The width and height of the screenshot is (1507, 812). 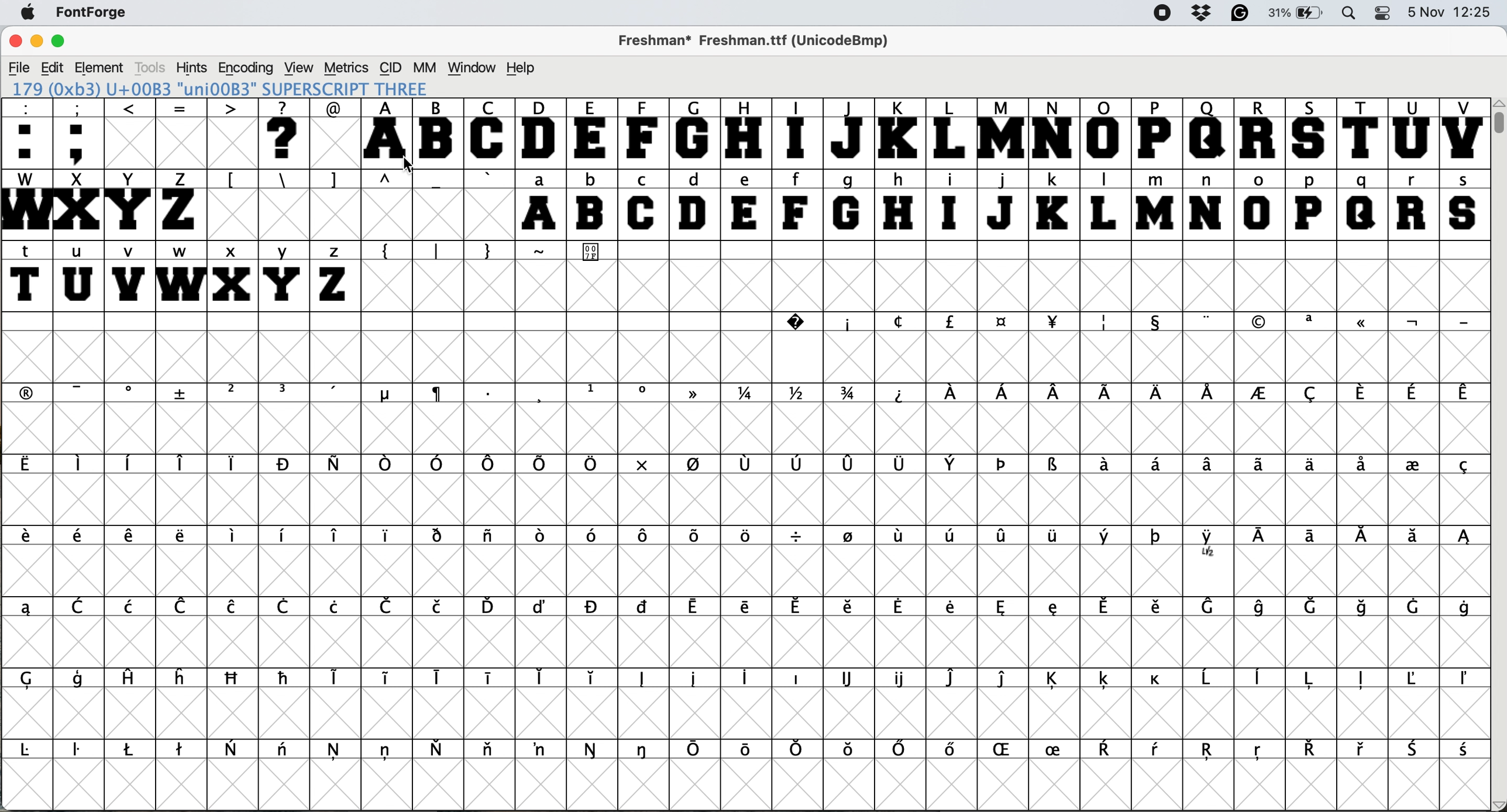 What do you see at coordinates (389, 67) in the screenshot?
I see `cid` at bounding box center [389, 67].